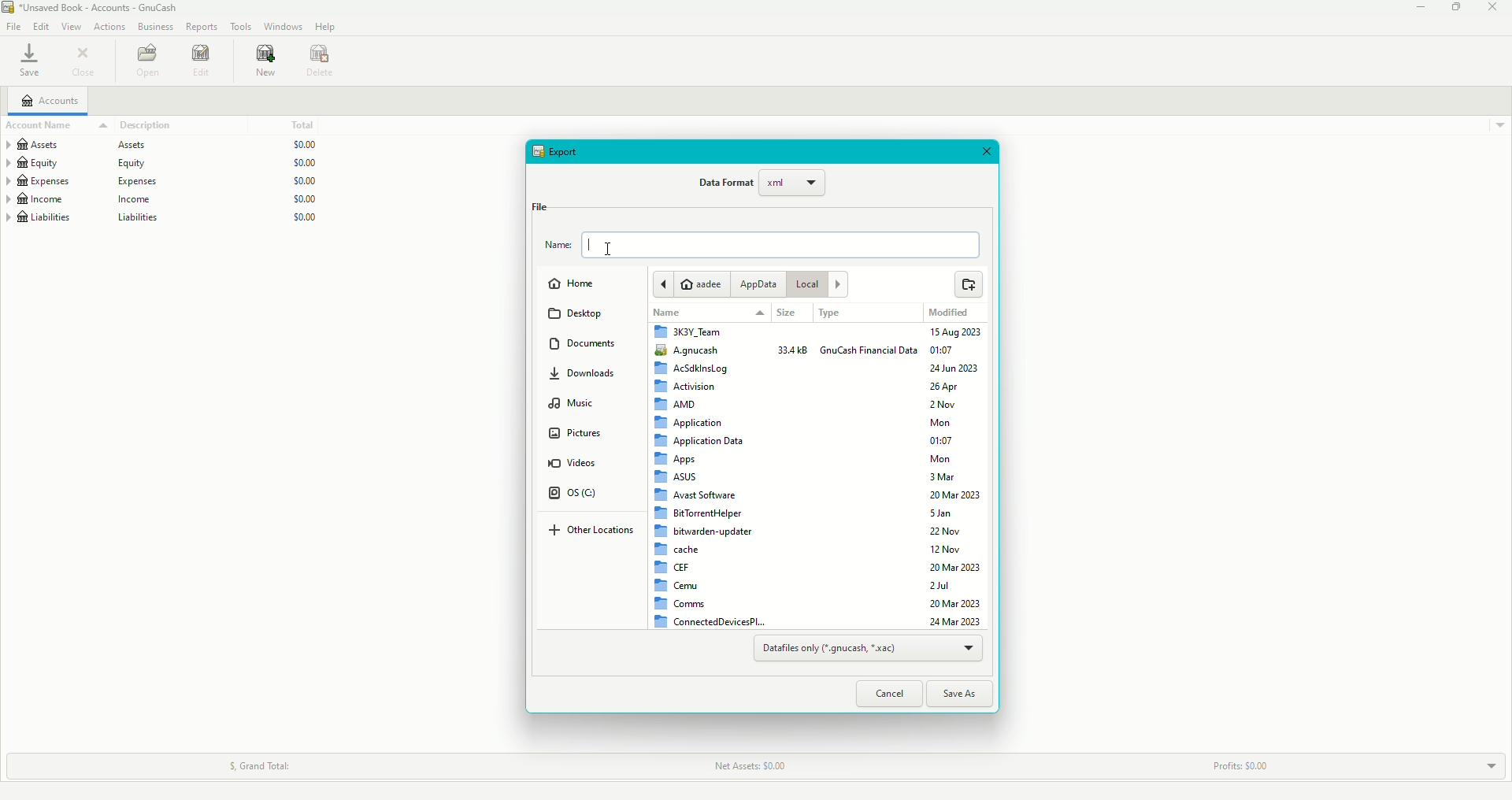  What do you see at coordinates (239, 27) in the screenshot?
I see `Tools` at bounding box center [239, 27].